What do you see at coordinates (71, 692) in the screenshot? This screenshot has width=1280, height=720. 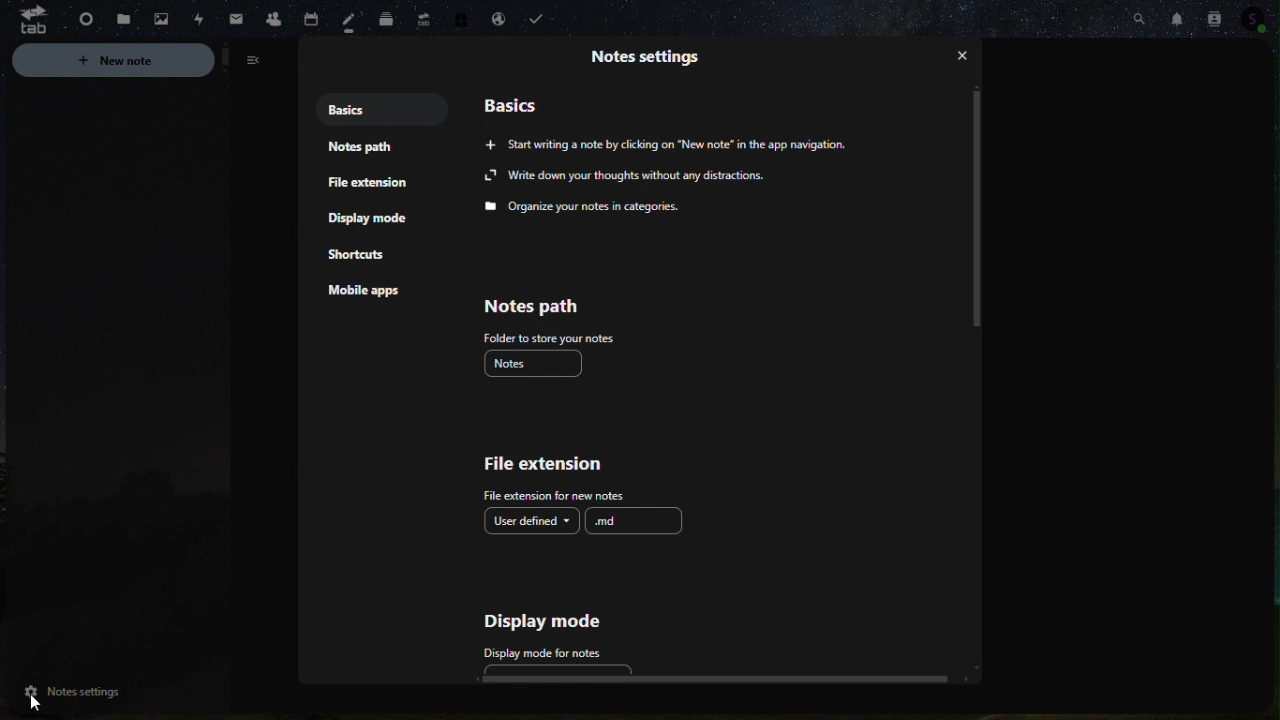 I see `Note setting enabled` at bounding box center [71, 692].